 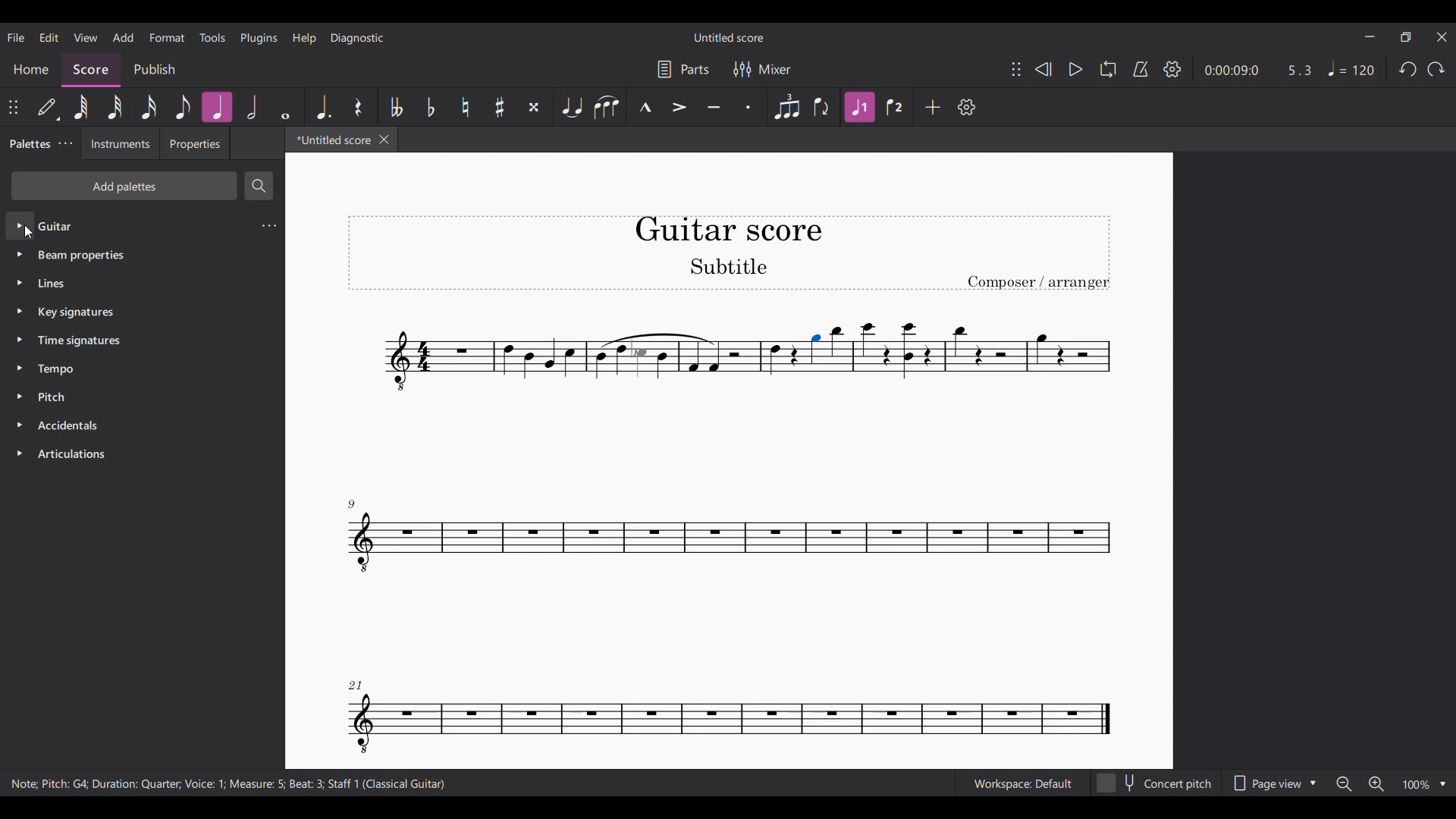 What do you see at coordinates (933, 106) in the screenshot?
I see `Add` at bounding box center [933, 106].